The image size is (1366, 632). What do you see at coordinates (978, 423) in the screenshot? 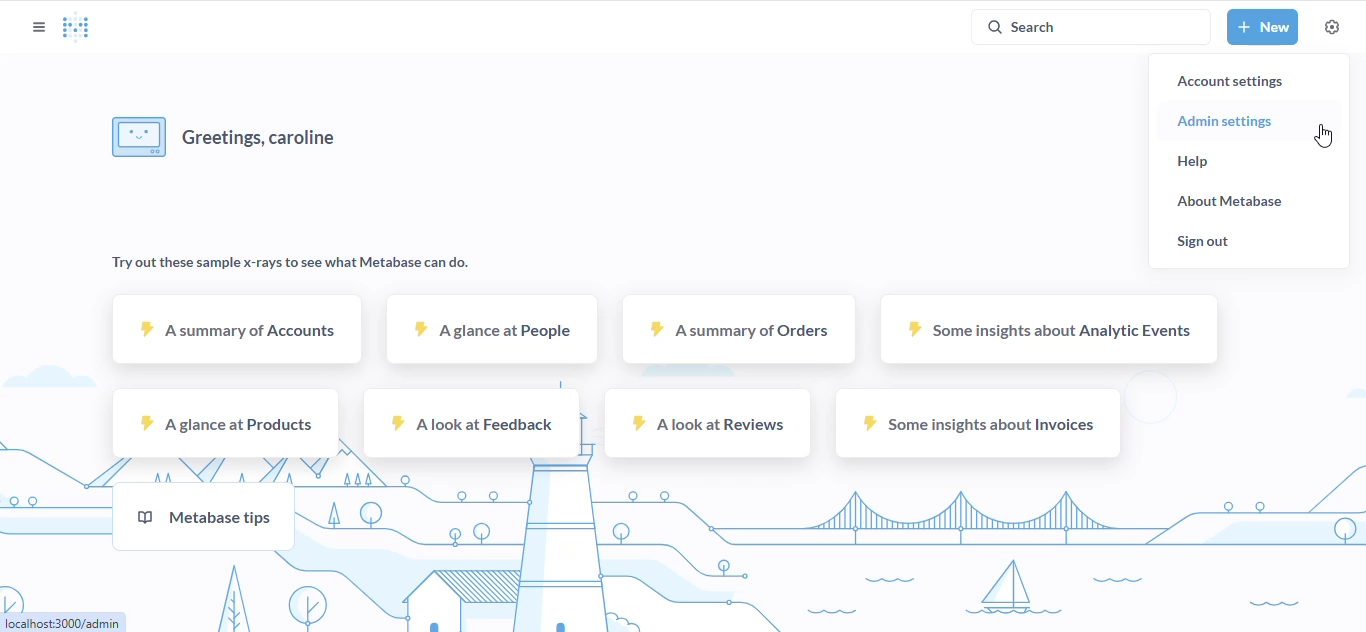
I see `some insights about invoices` at bounding box center [978, 423].